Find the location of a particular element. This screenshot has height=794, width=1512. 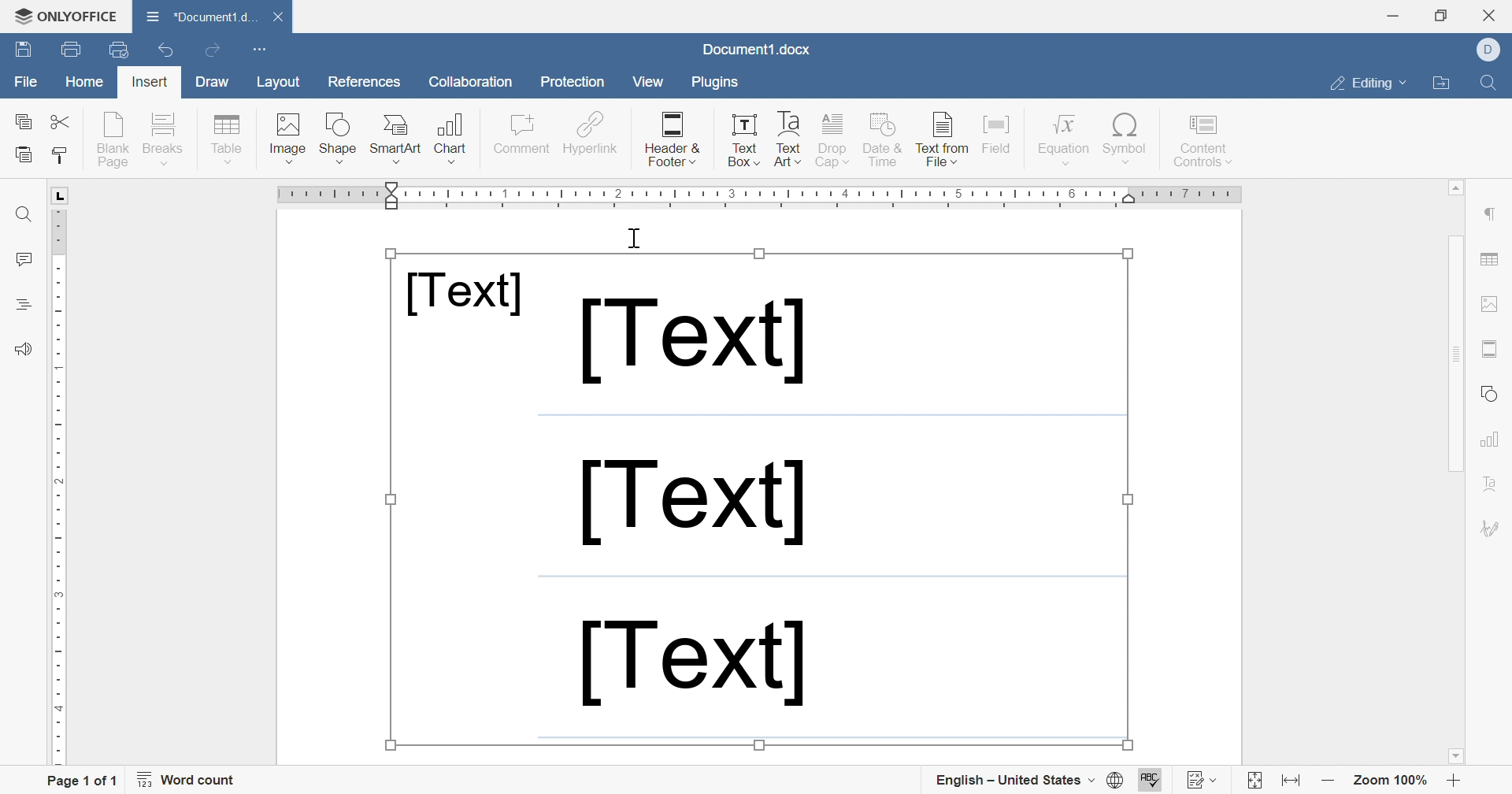

Feedback & Support is located at coordinates (18, 349).